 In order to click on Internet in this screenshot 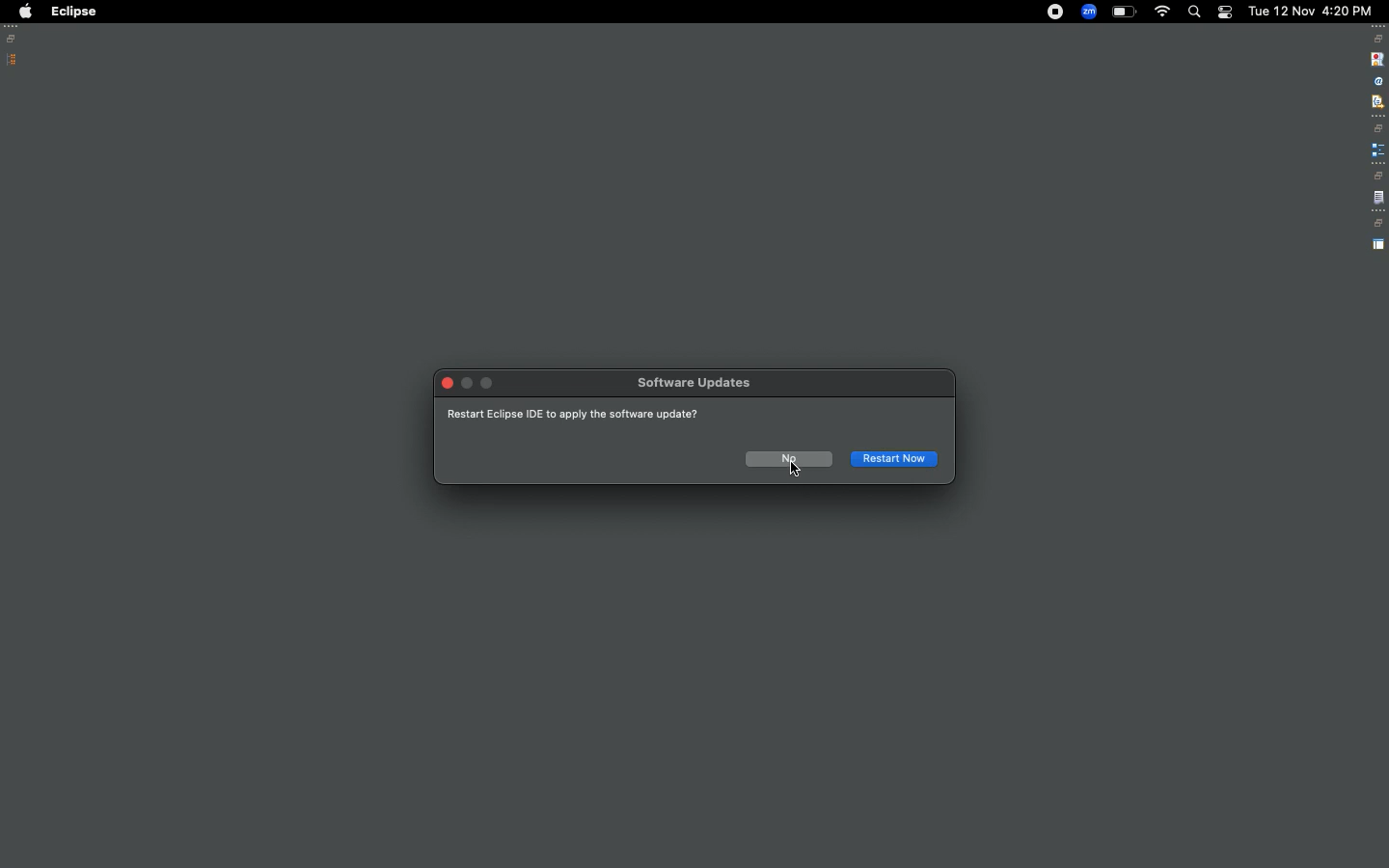, I will do `click(1162, 14)`.